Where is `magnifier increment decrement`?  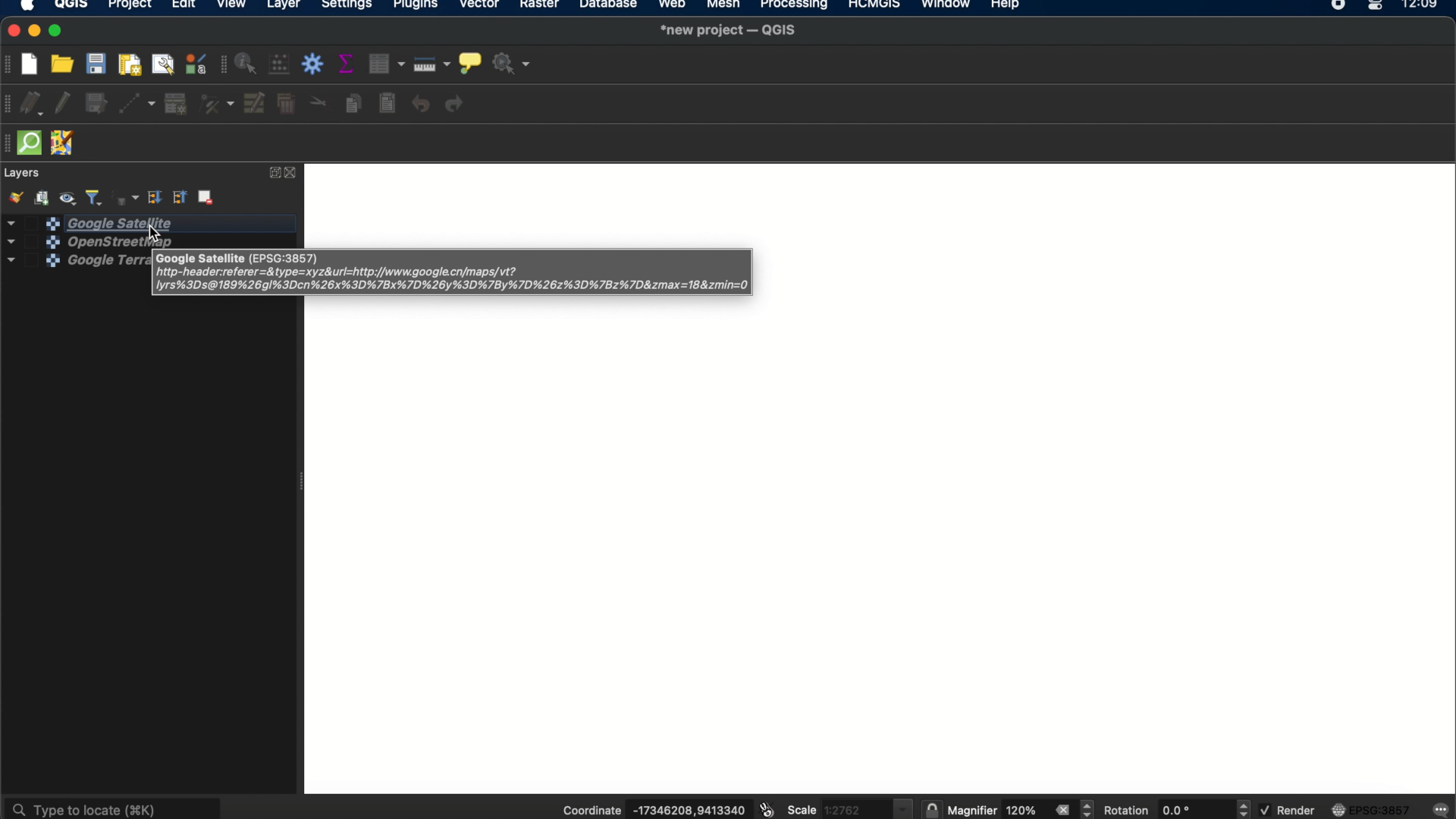 magnifier increment decrement is located at coordinates (1089, 808).